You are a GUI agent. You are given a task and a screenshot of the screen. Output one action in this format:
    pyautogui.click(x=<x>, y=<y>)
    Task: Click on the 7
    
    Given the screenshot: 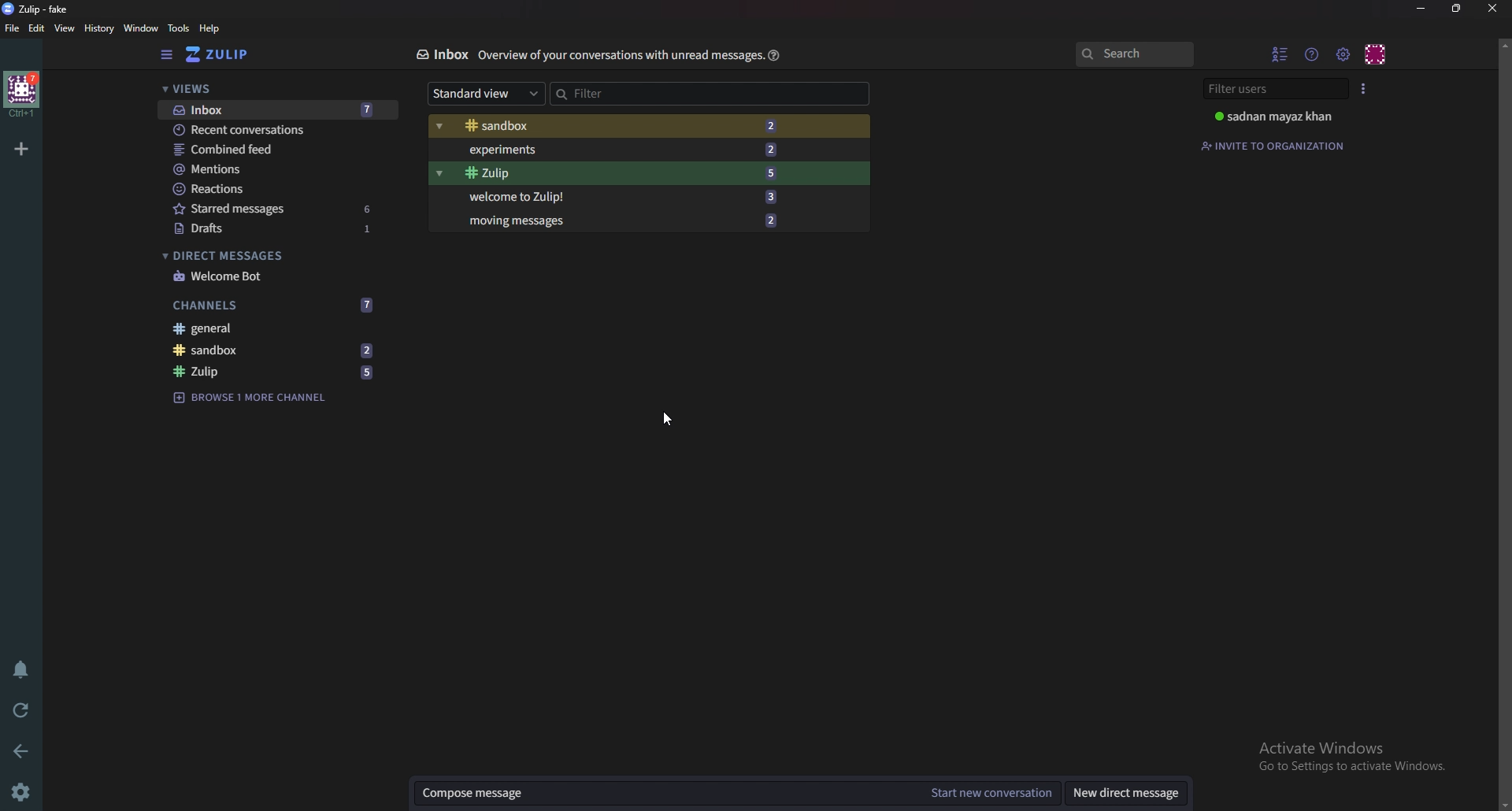 What is the action you would take?
    pyautogui.click(x=376, y=109)
    